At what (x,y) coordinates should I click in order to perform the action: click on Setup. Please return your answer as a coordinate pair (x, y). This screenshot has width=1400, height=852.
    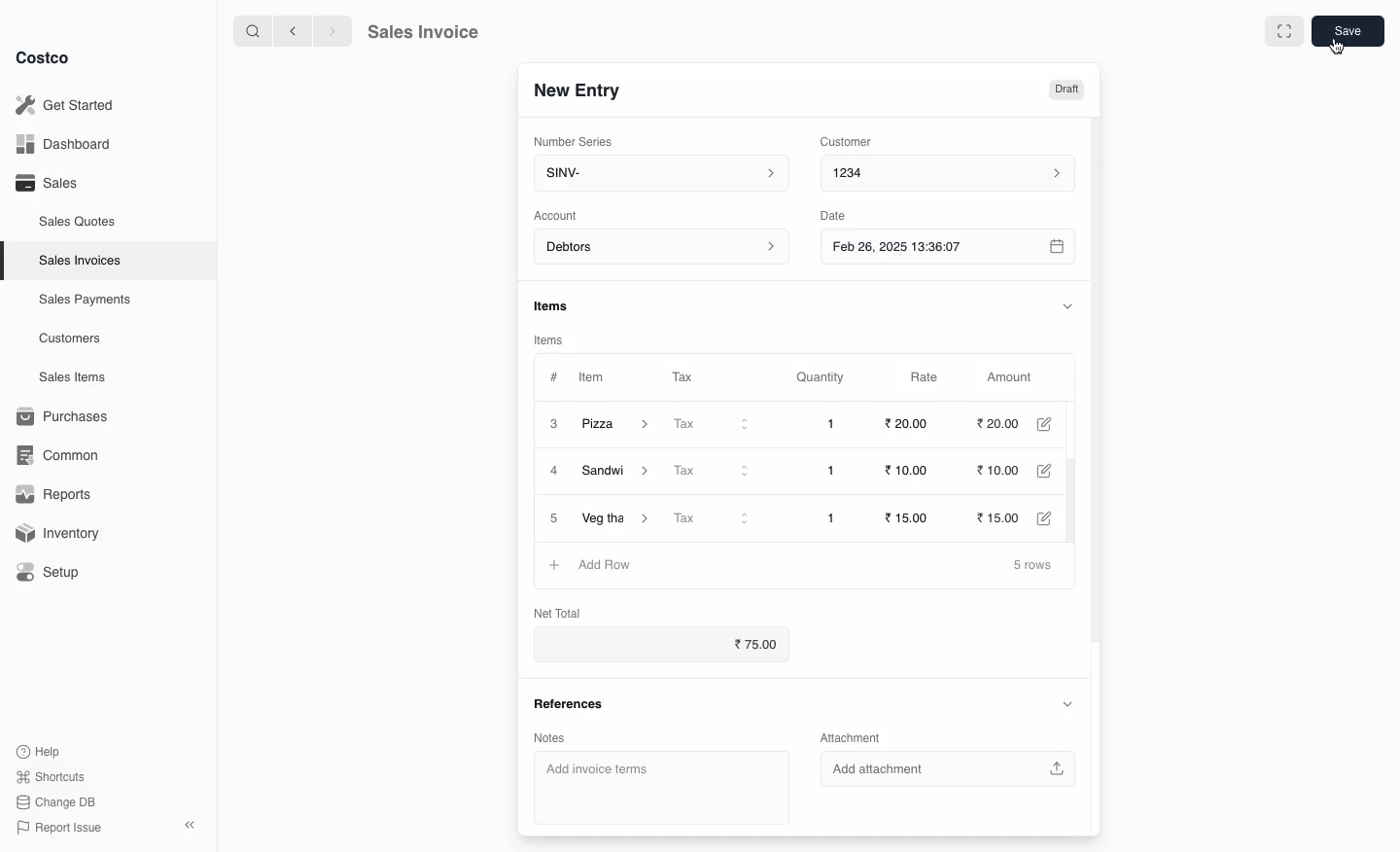
    Looking at the image, I should click on (55, 572).